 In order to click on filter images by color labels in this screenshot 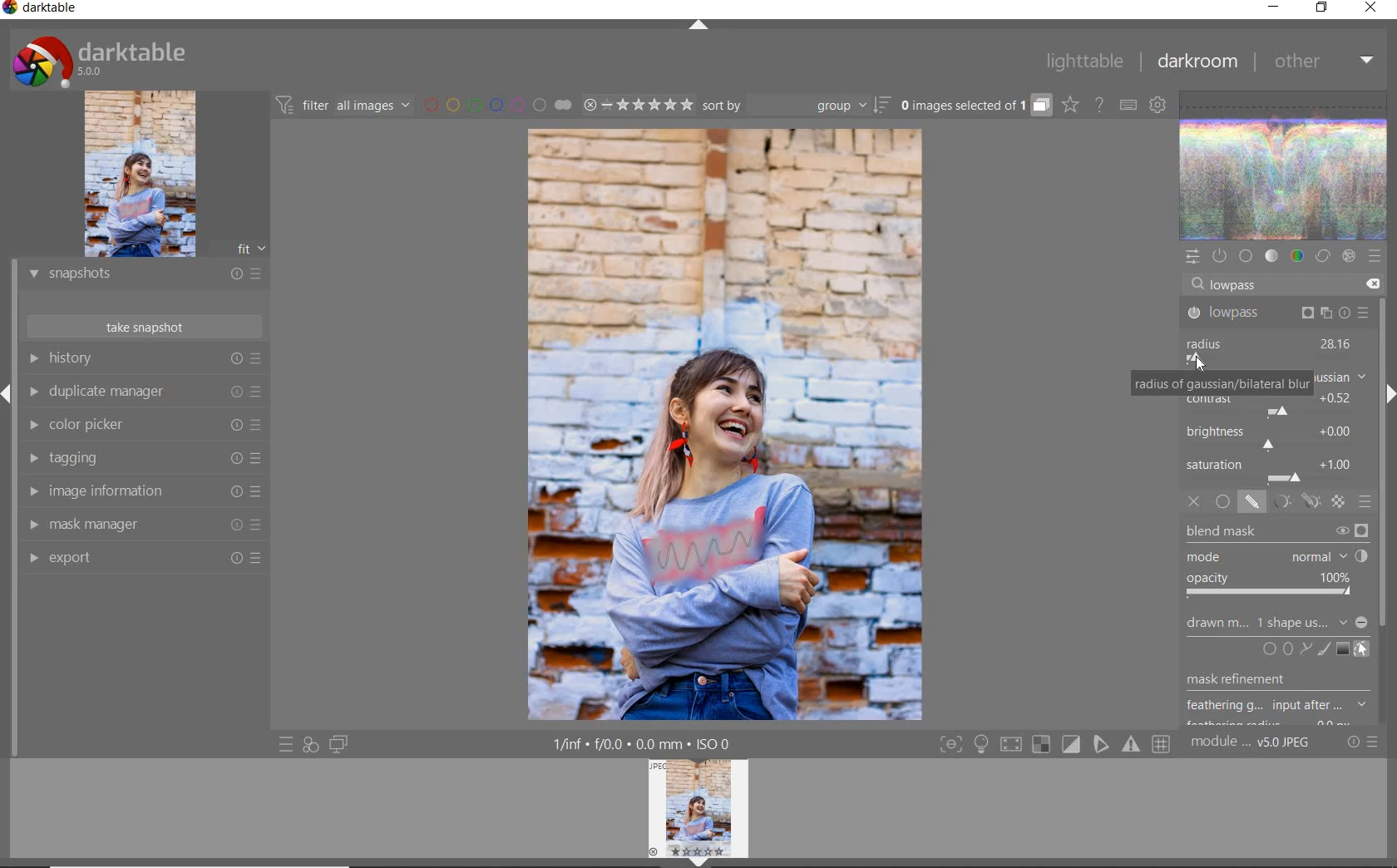, I will do `click(497, 106)`.